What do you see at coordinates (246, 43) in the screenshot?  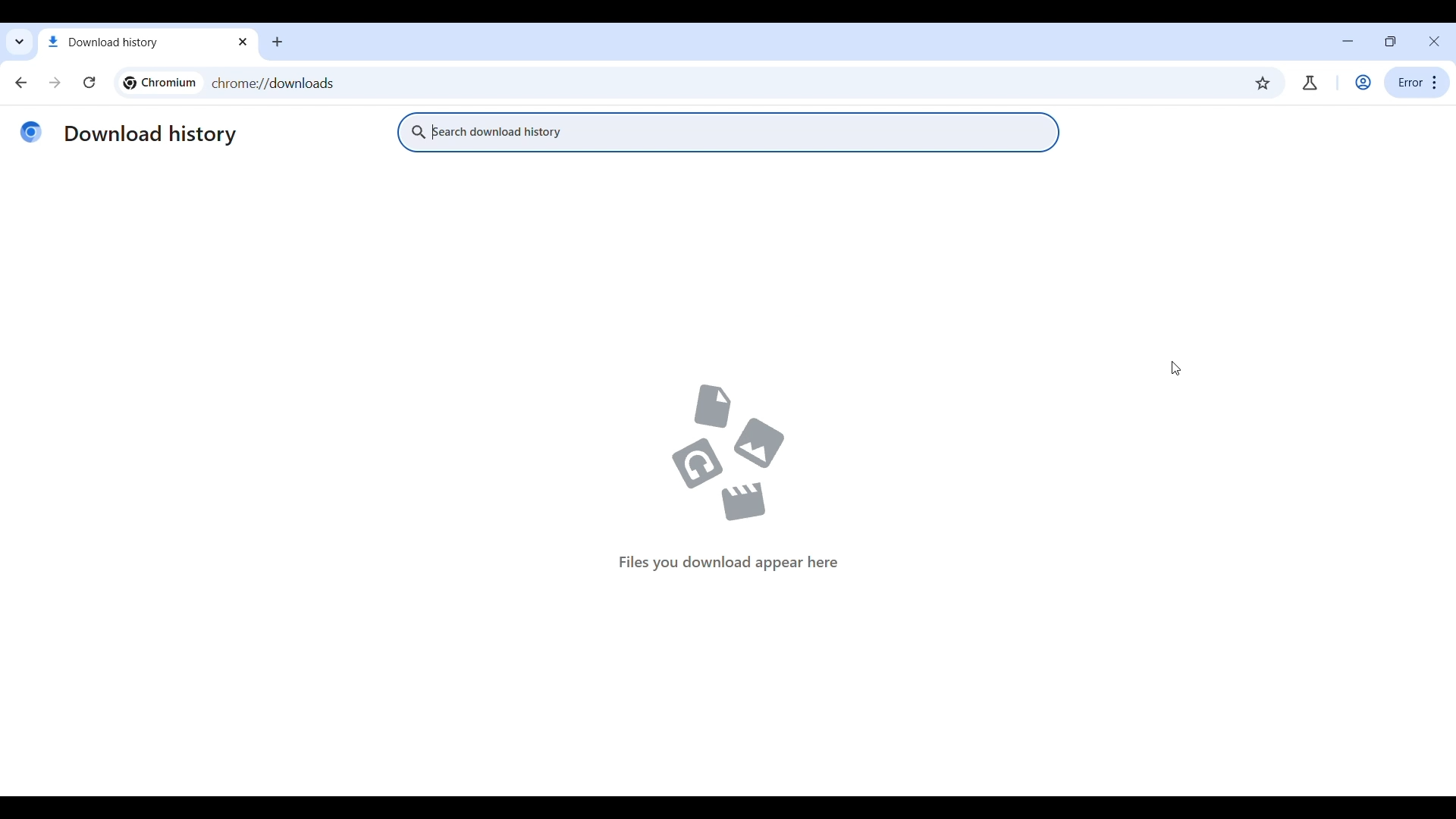 I see `close` at bounding box center [246, 43].